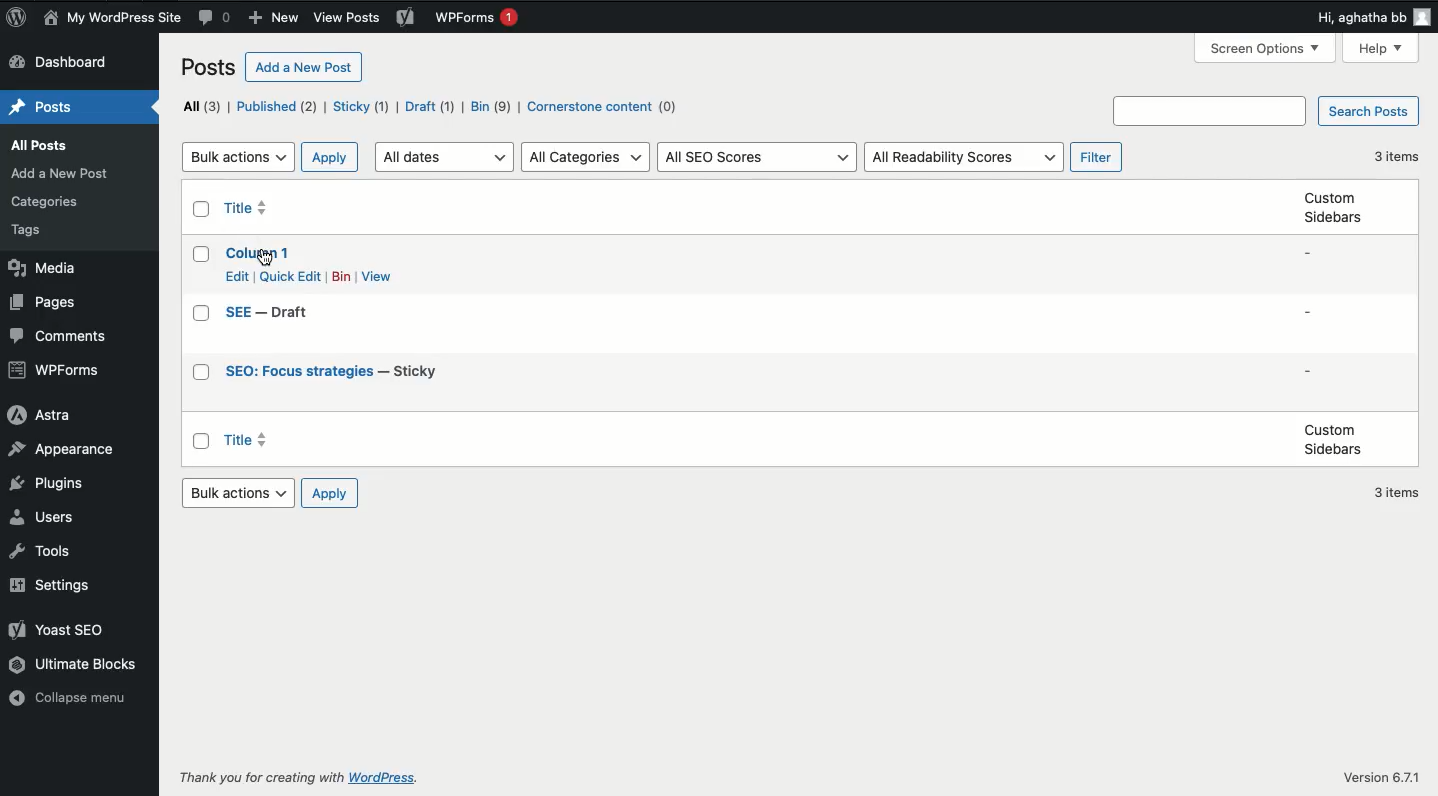  What do you see at coordinates (44, 202) in the screenshot?
I see `Categories` at bounding box center [44, 202].